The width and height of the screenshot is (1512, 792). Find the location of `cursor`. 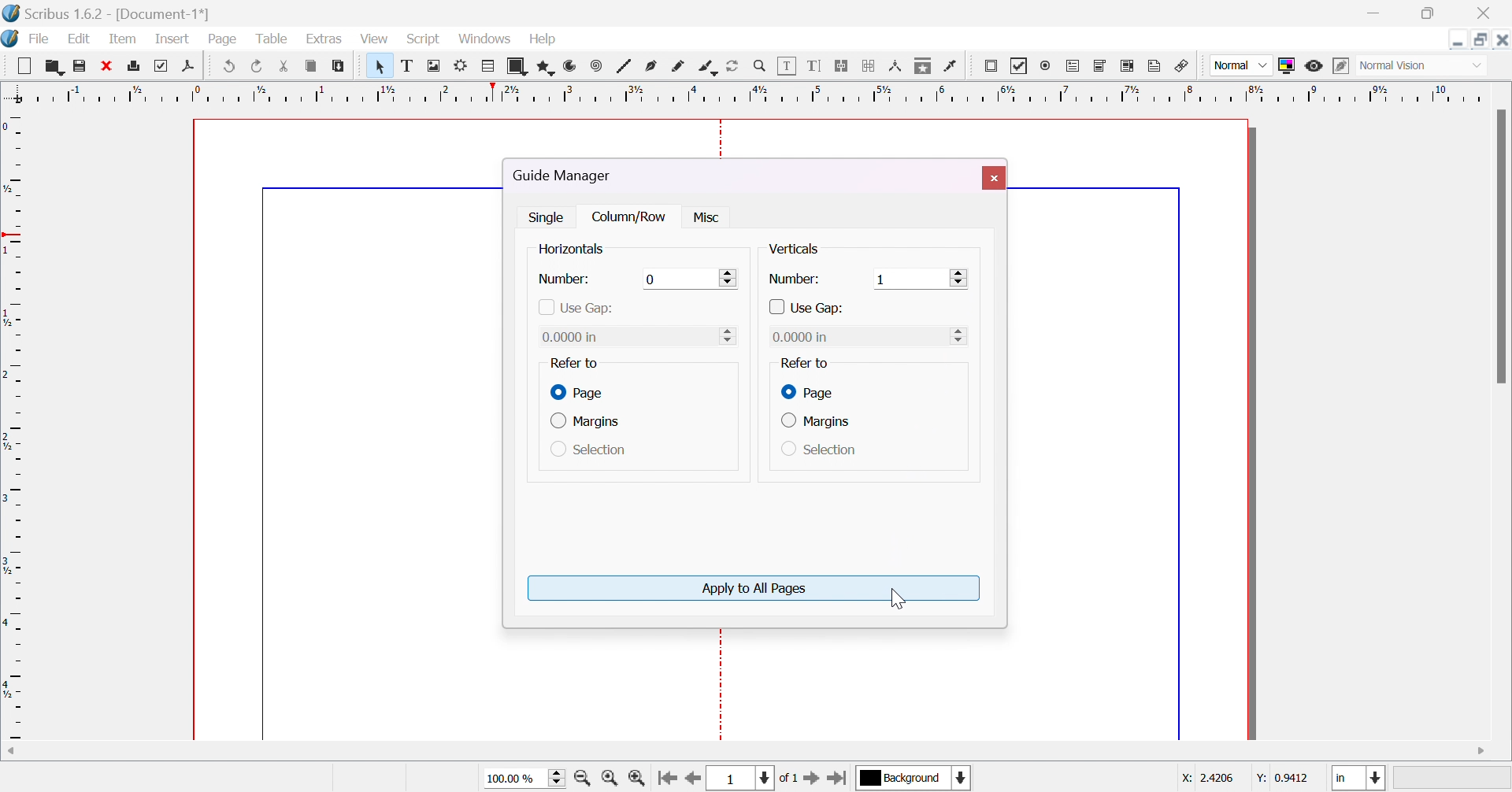

cursor is located at coordinates (892, 598).